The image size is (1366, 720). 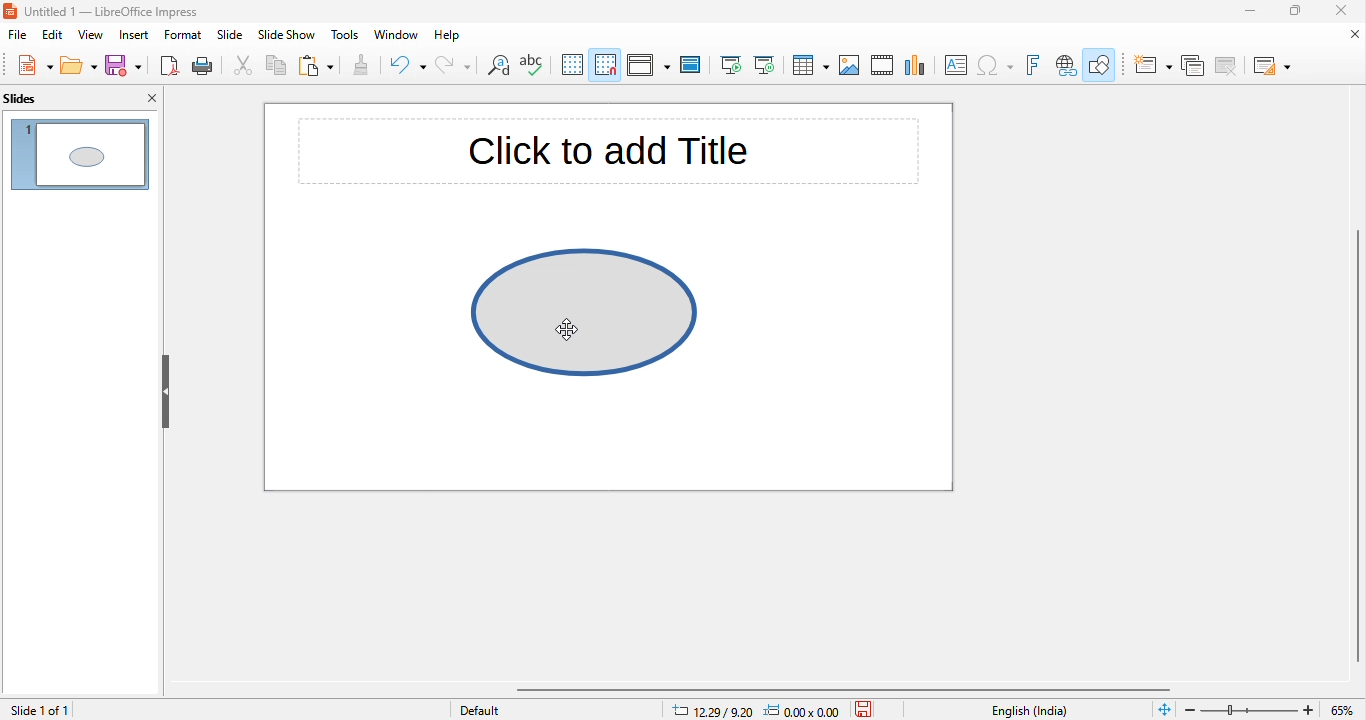 I want to click on slide 1 of 1, so click(x=74, y=709).